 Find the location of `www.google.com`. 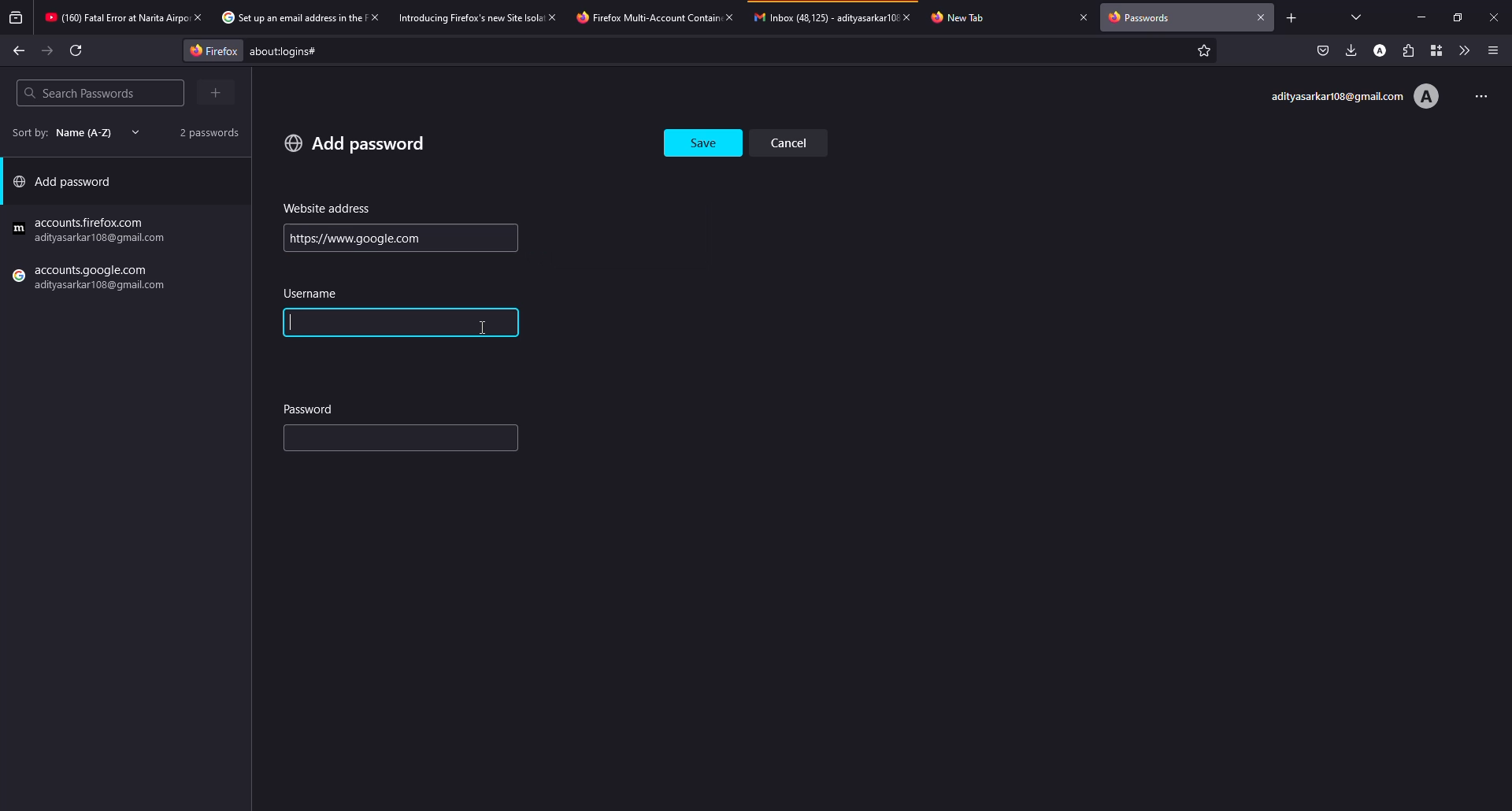

www.google.com is located at coordinates (340, 238).